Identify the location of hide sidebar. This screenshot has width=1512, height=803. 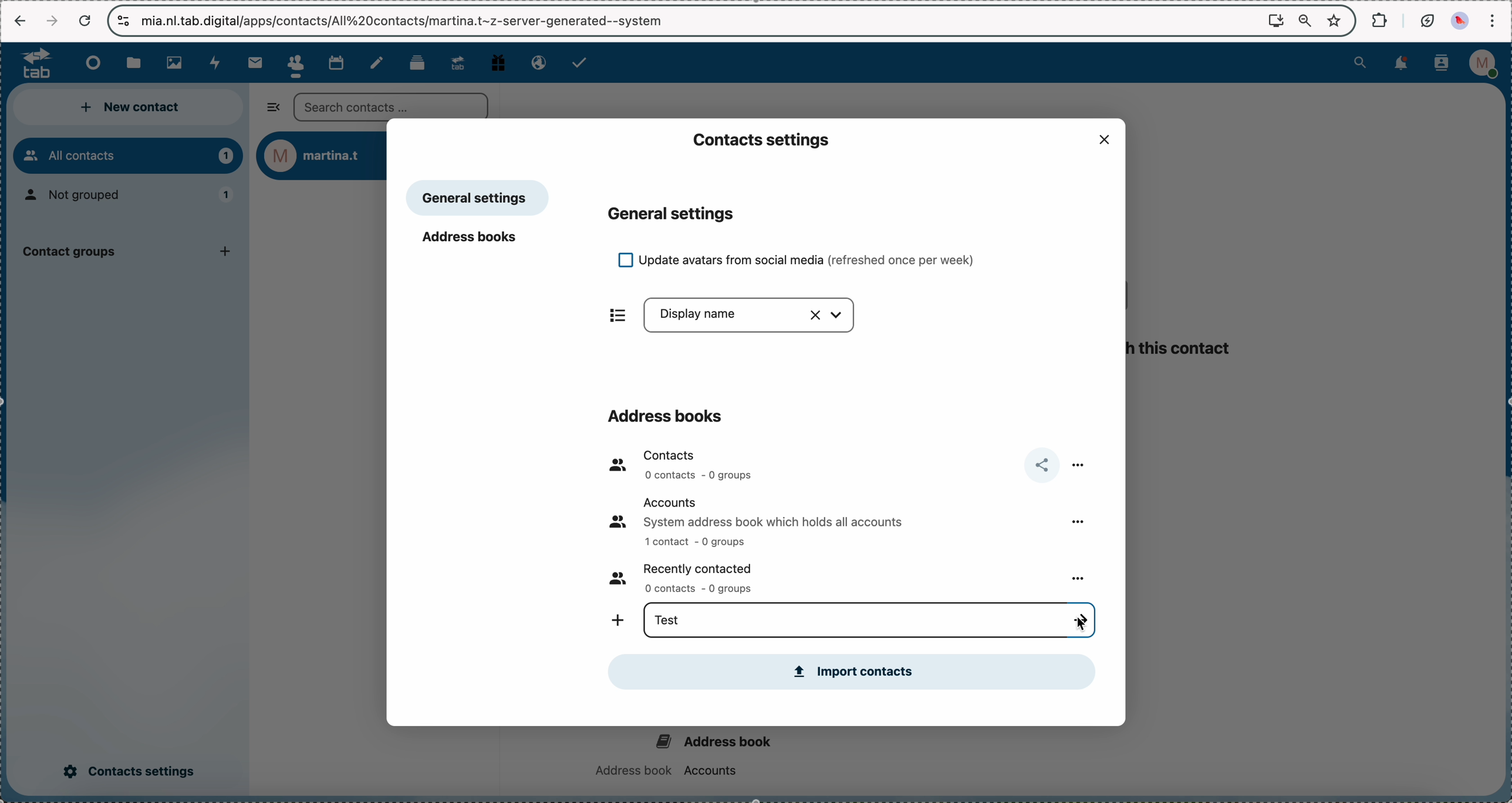
(270, 110).